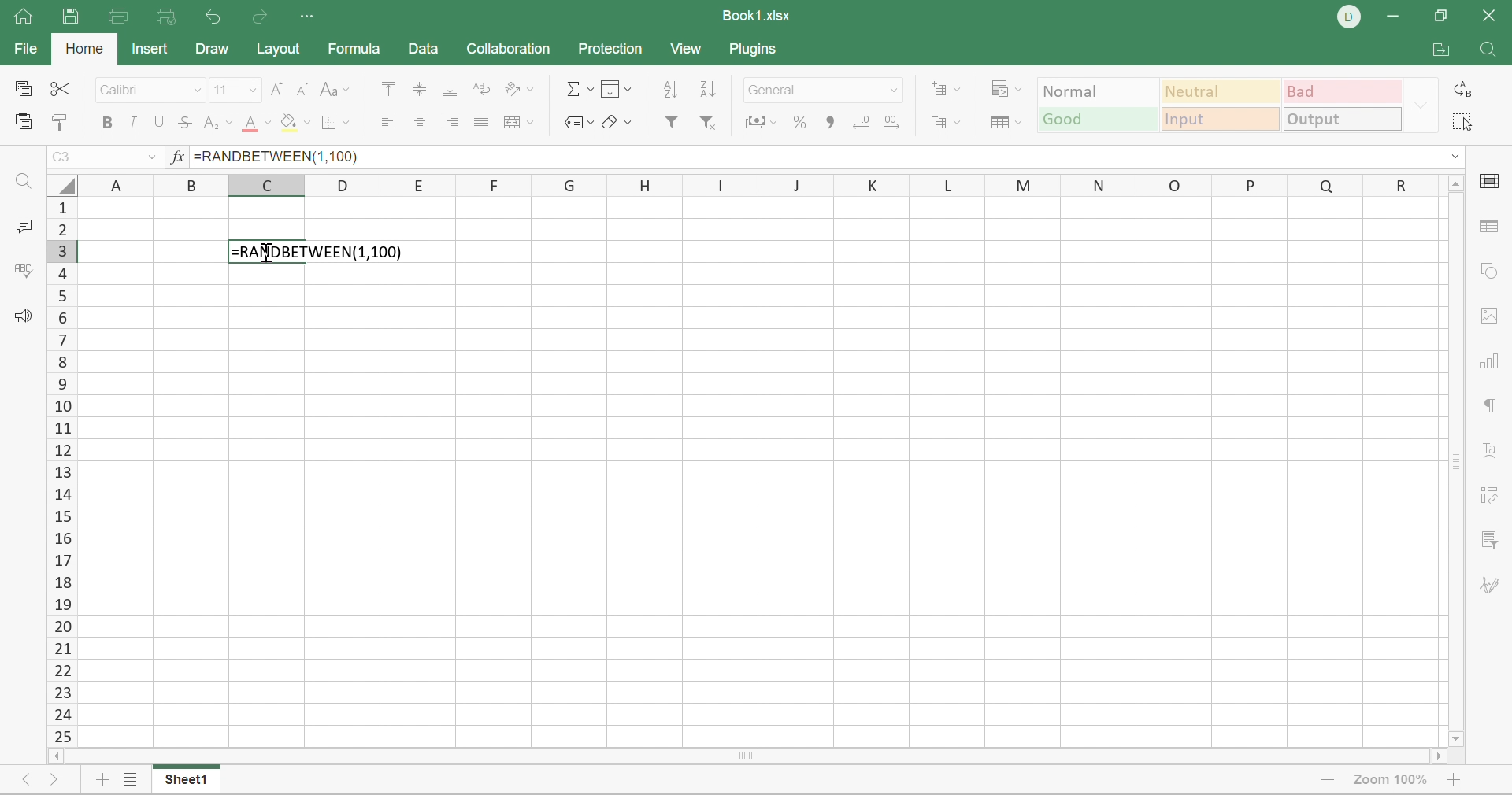 The height and width of the screenshot is (795, 1512). I want to click on Close, so click(1490, 15).